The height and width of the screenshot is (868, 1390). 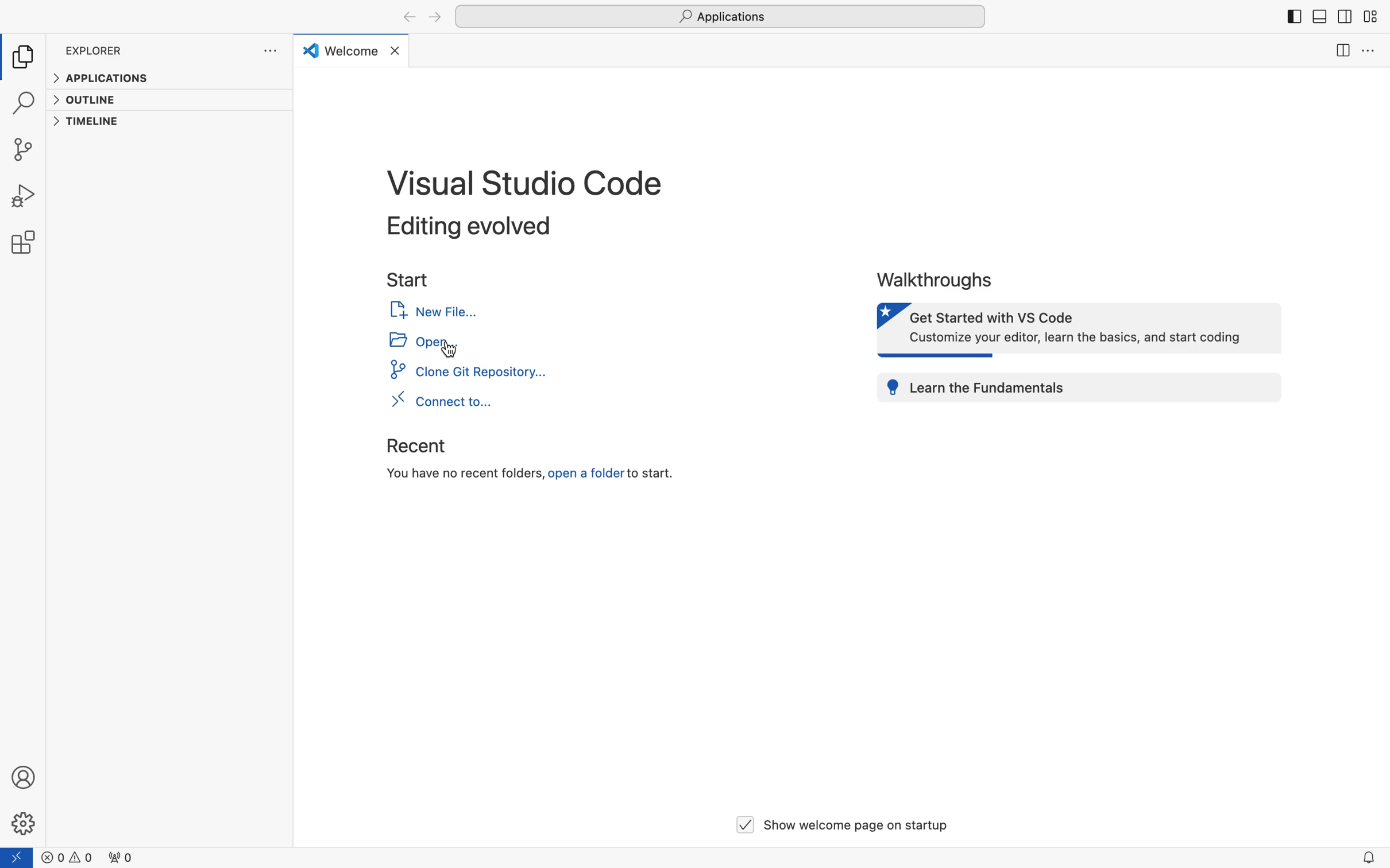 What do you see at coordinates (1343, 20) in the screenshot?
I see `toggle secondary side bar` at bounding box center [1343, 20].